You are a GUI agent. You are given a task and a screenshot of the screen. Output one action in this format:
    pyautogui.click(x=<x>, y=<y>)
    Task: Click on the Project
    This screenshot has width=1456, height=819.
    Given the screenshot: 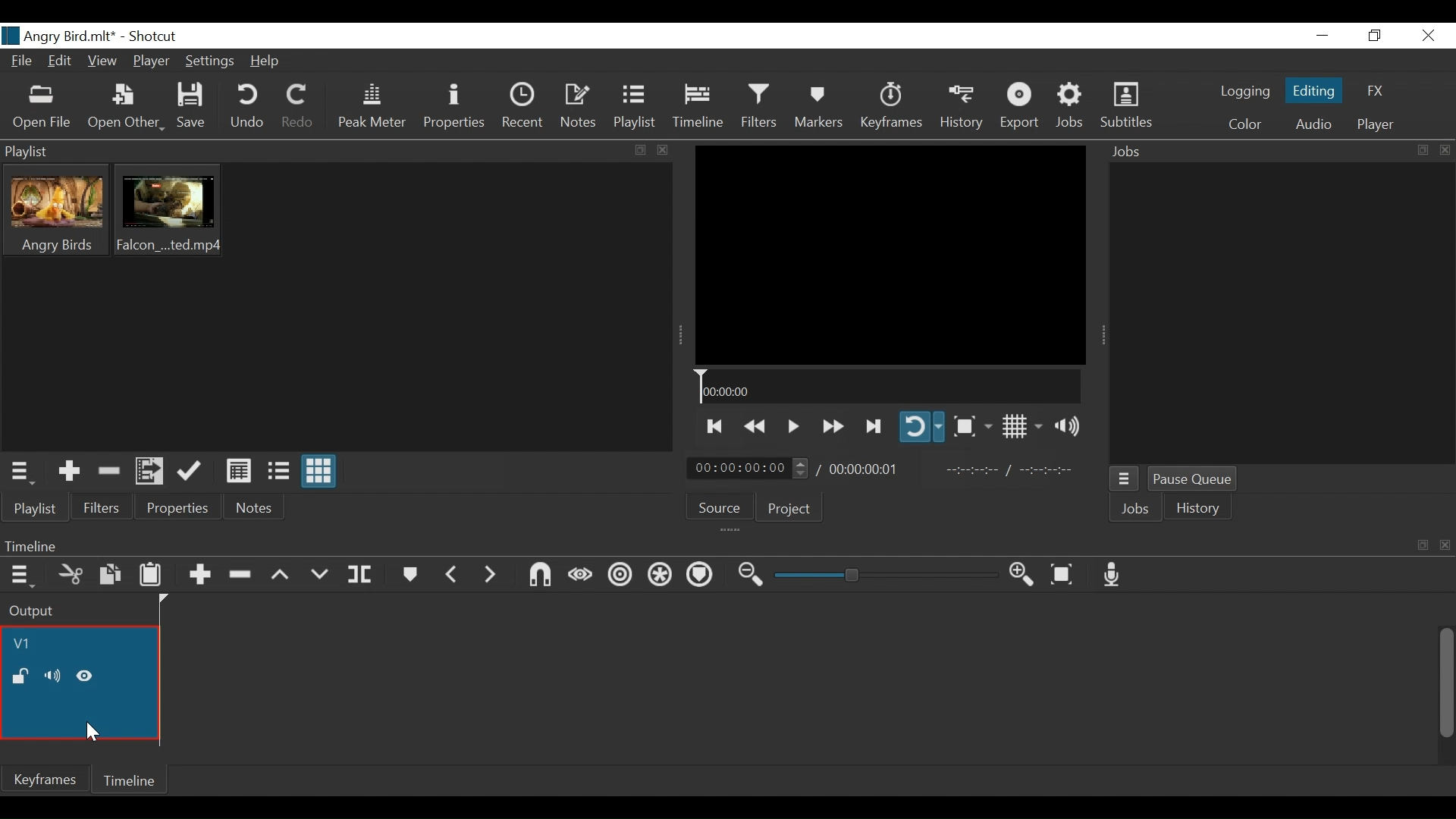 What is the action you would take?
    pyautogui.click(x=789, y=509)
    